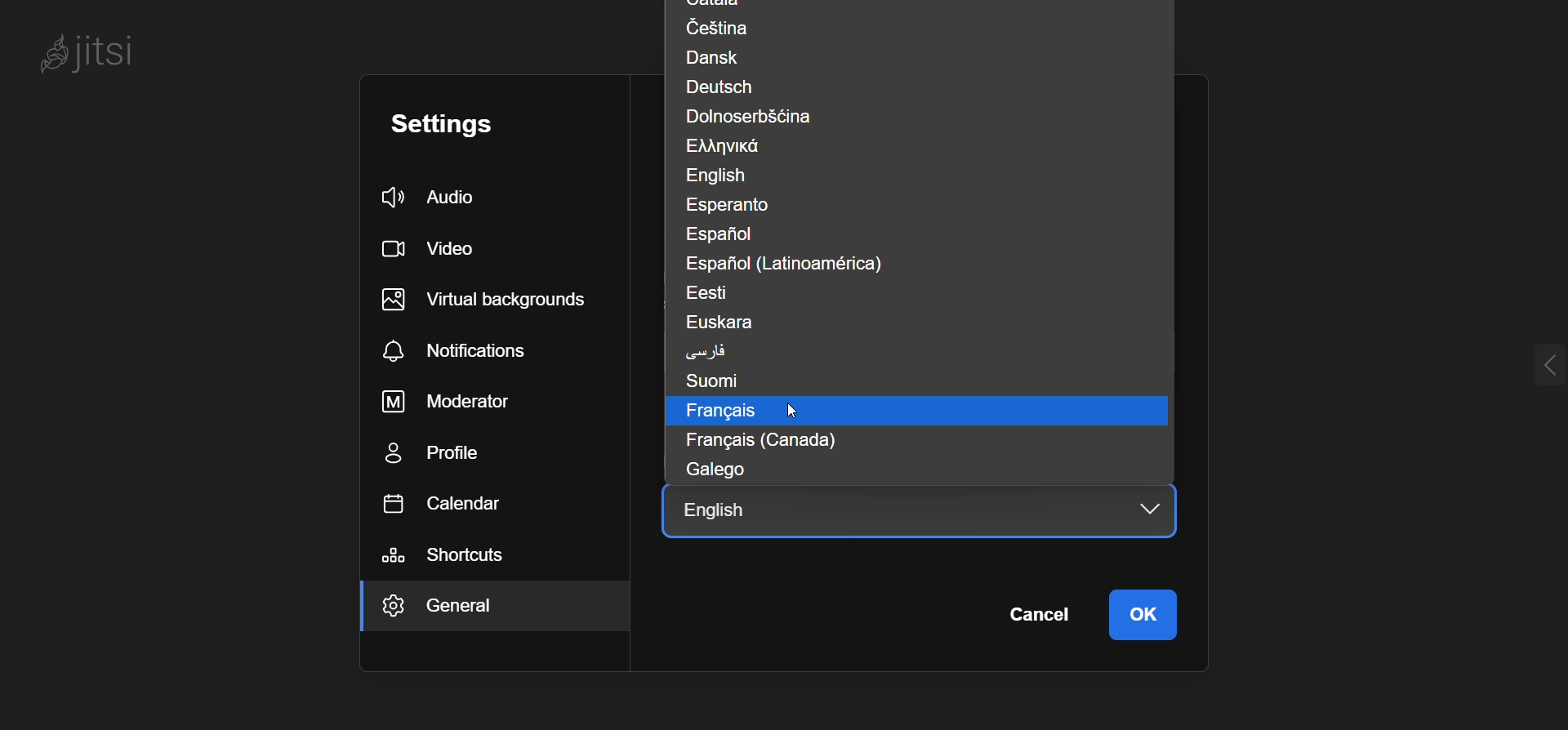 The height and width of the screenshot is (730, 1568). What do you see at coordinates (735, 145) in the screenshot?
I see `EAANVIKG` at bounding box center [735, 145].